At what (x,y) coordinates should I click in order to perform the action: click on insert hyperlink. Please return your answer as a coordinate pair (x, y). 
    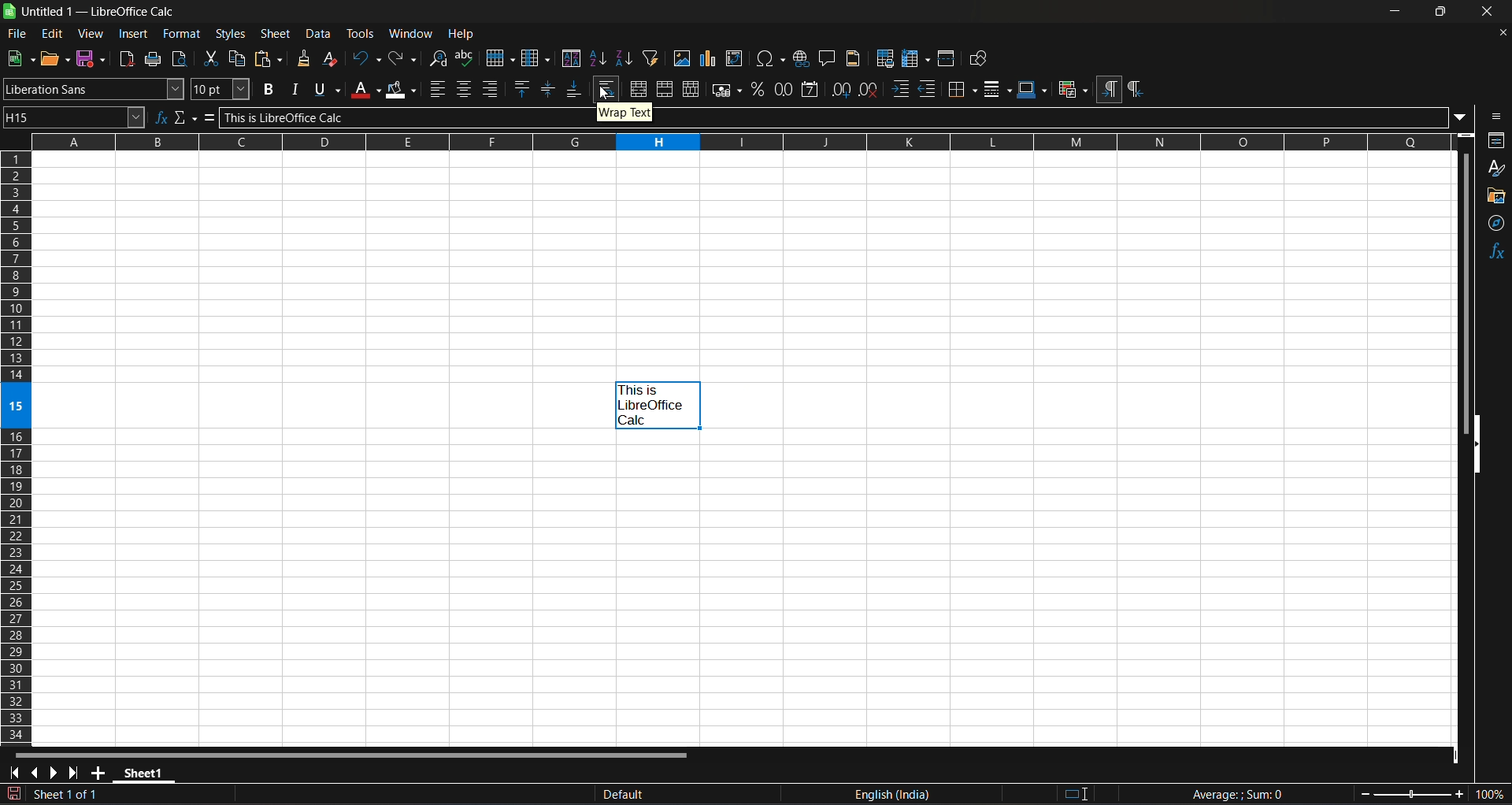
    Looking at the image, I should click on (802, 57).